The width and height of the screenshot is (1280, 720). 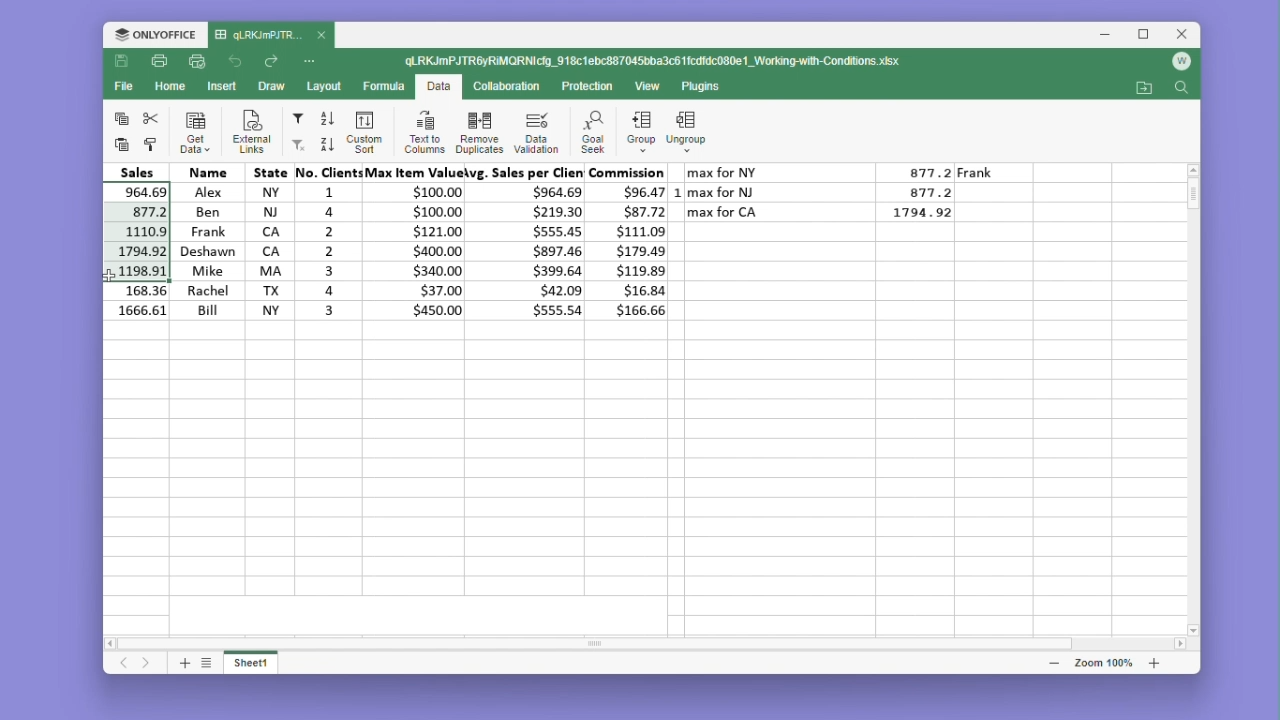 I want to click on sort descending, so click(x=326, y=144).